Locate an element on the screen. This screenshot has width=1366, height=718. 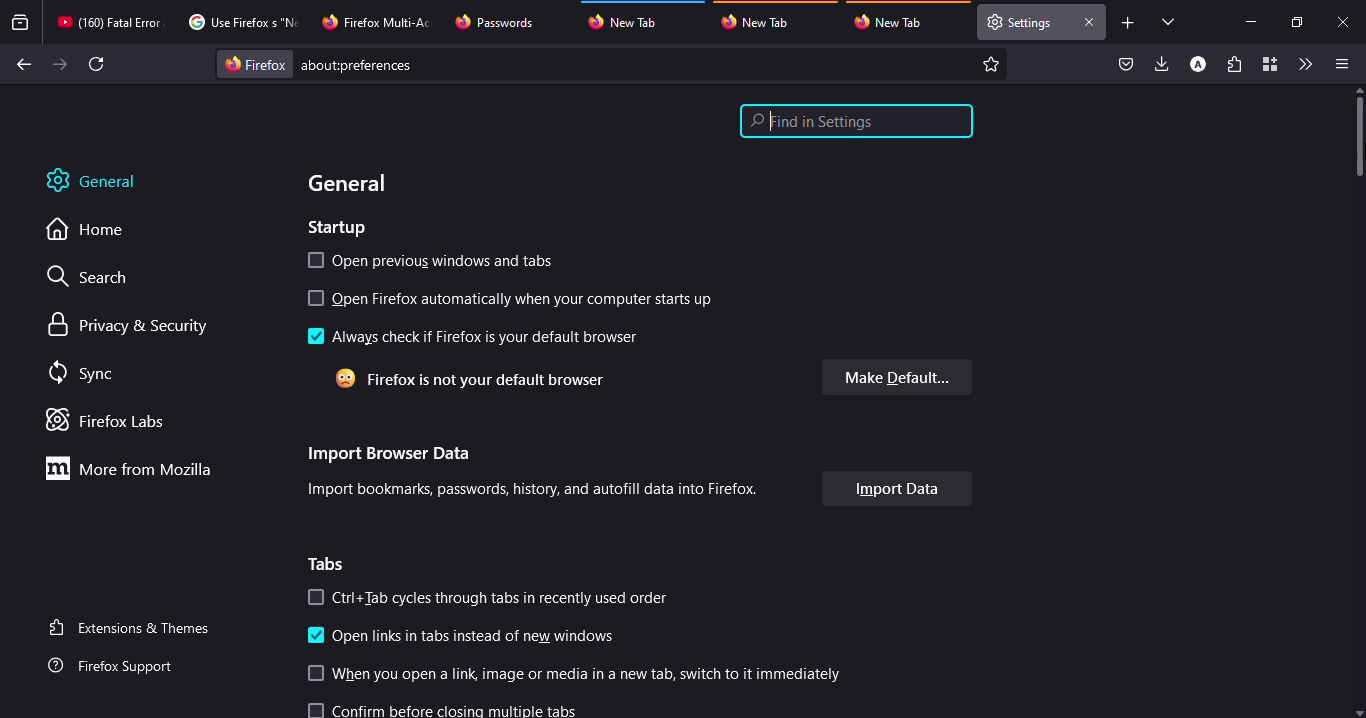
account is located at coordinates (1198, 65).